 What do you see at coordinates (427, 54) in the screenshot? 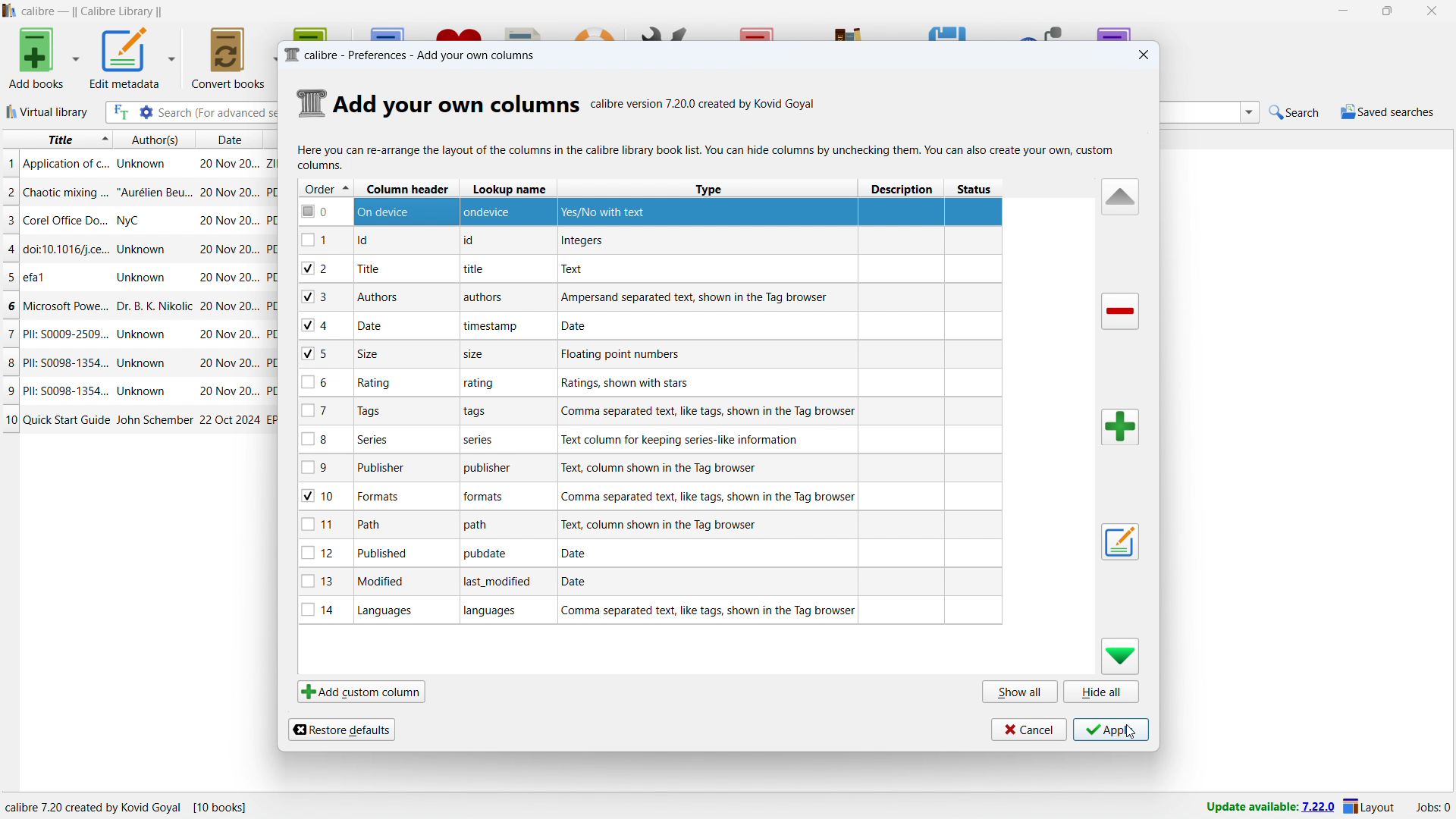
I see `calibre - Preferences - Add your own columns` at bounding box center [427, 54].